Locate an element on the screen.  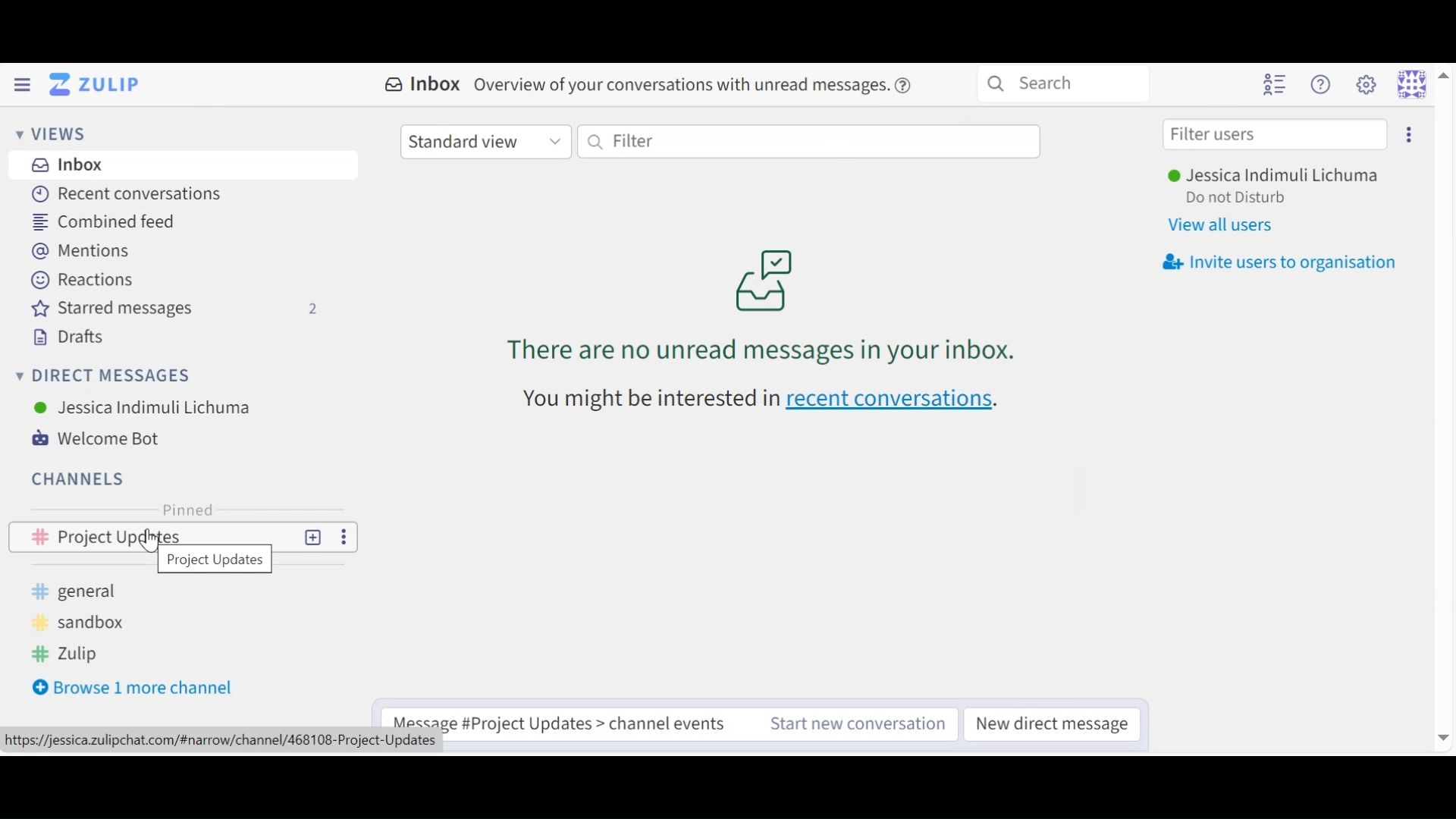
Down is located at coordinates (1444, 734).